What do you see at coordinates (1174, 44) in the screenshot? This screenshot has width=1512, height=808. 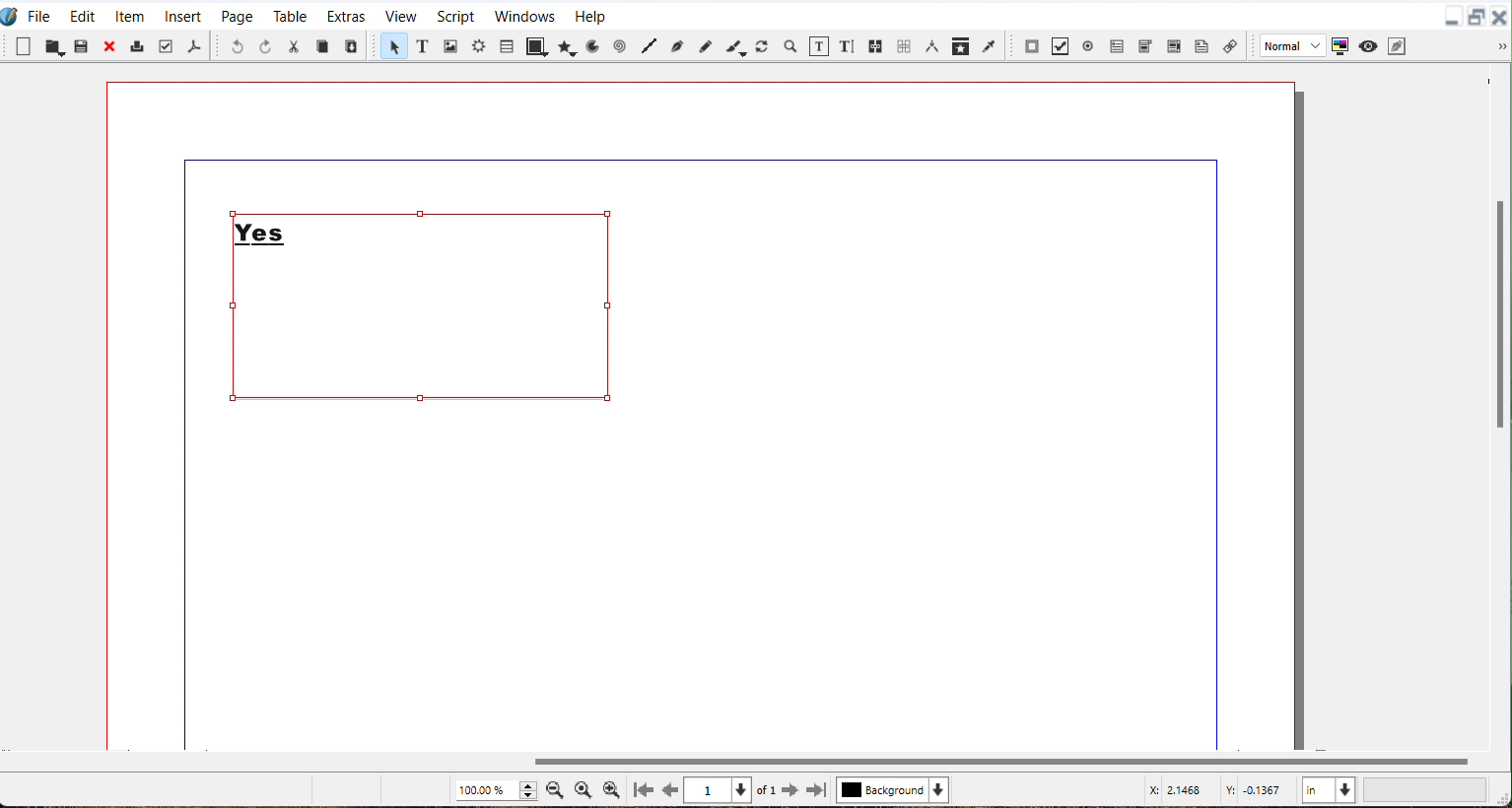 I see `PDF Text Box` at bounding box center [1174, 44].